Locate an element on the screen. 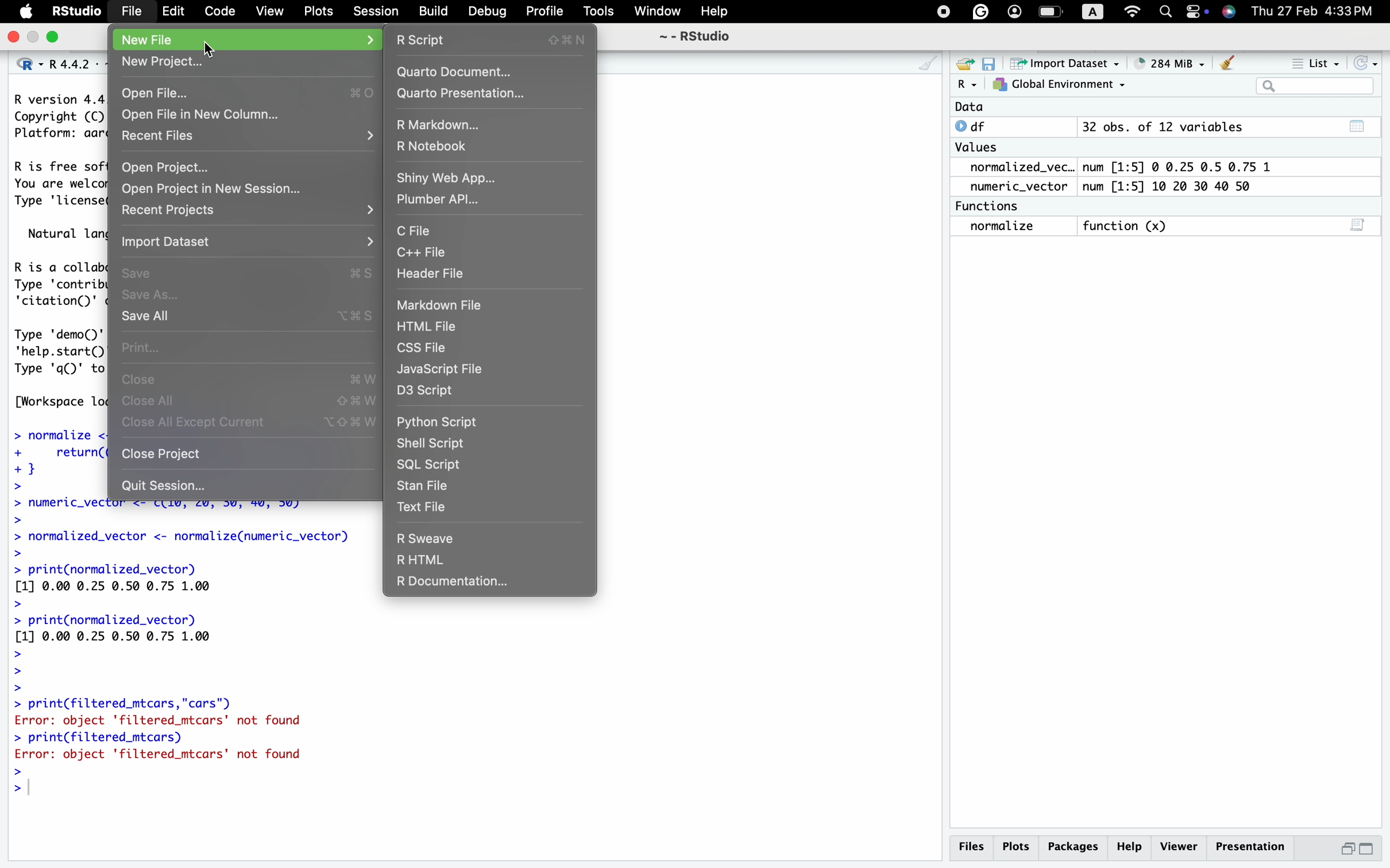 This screenshot has width=1390, height=868. Import Dataset is located at coordinates (174, 240).